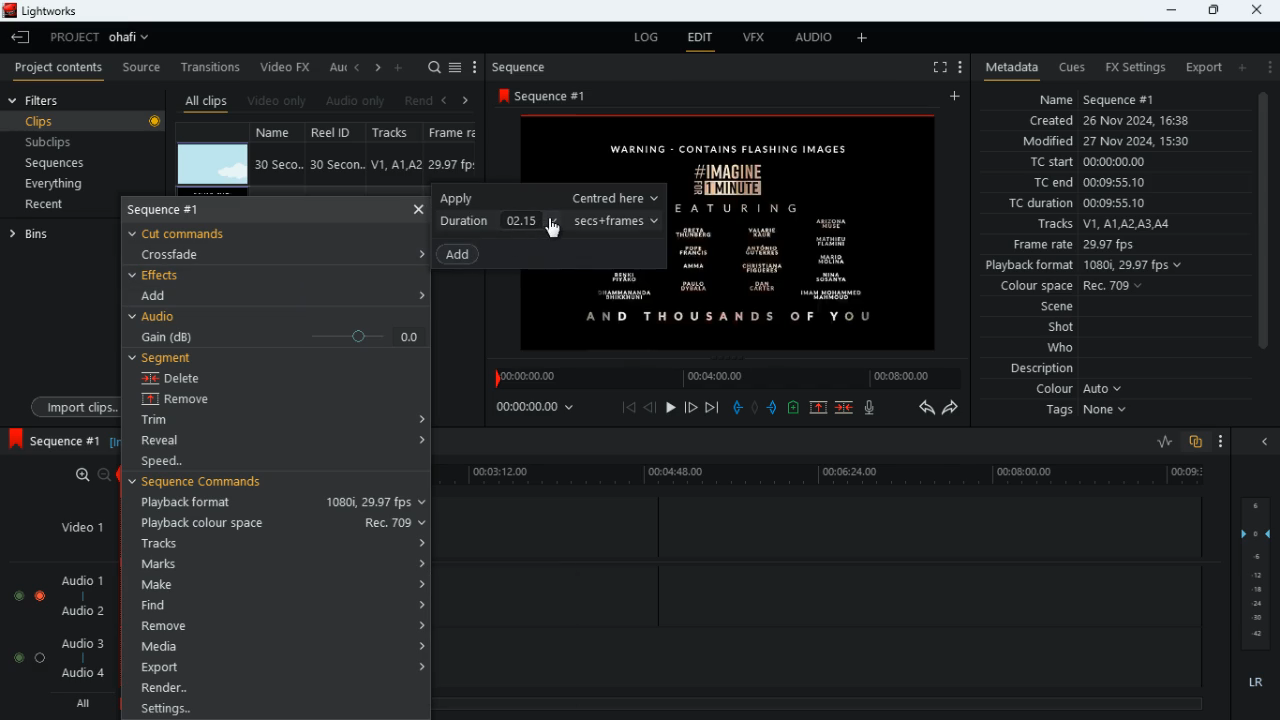  What do you see at coordinates (1262, 231) in the screenshot?
I see `scroll` at bounding box center [1262, 231].